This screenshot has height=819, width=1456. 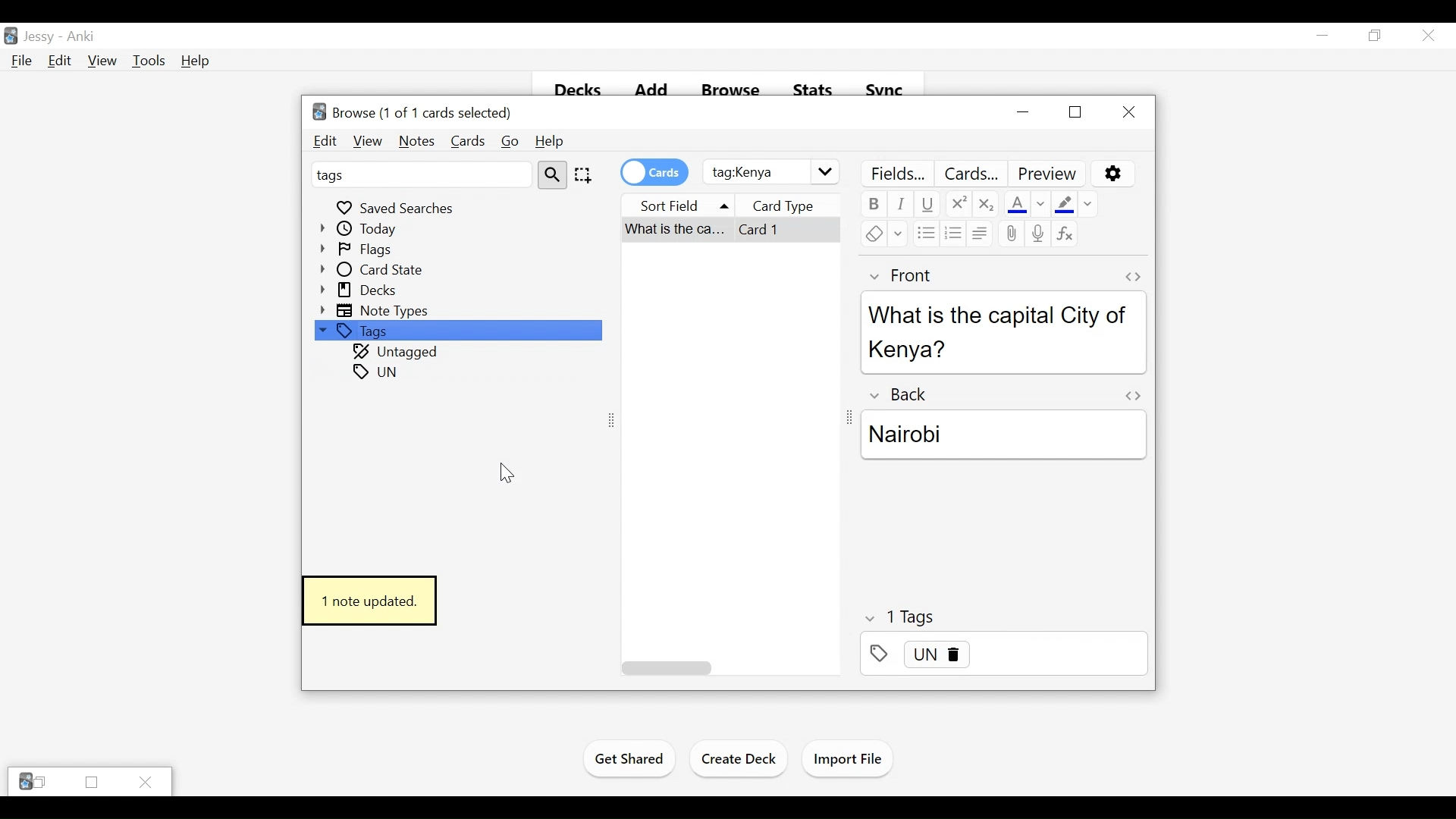 I want to click on View, so click(x=366, y=141).